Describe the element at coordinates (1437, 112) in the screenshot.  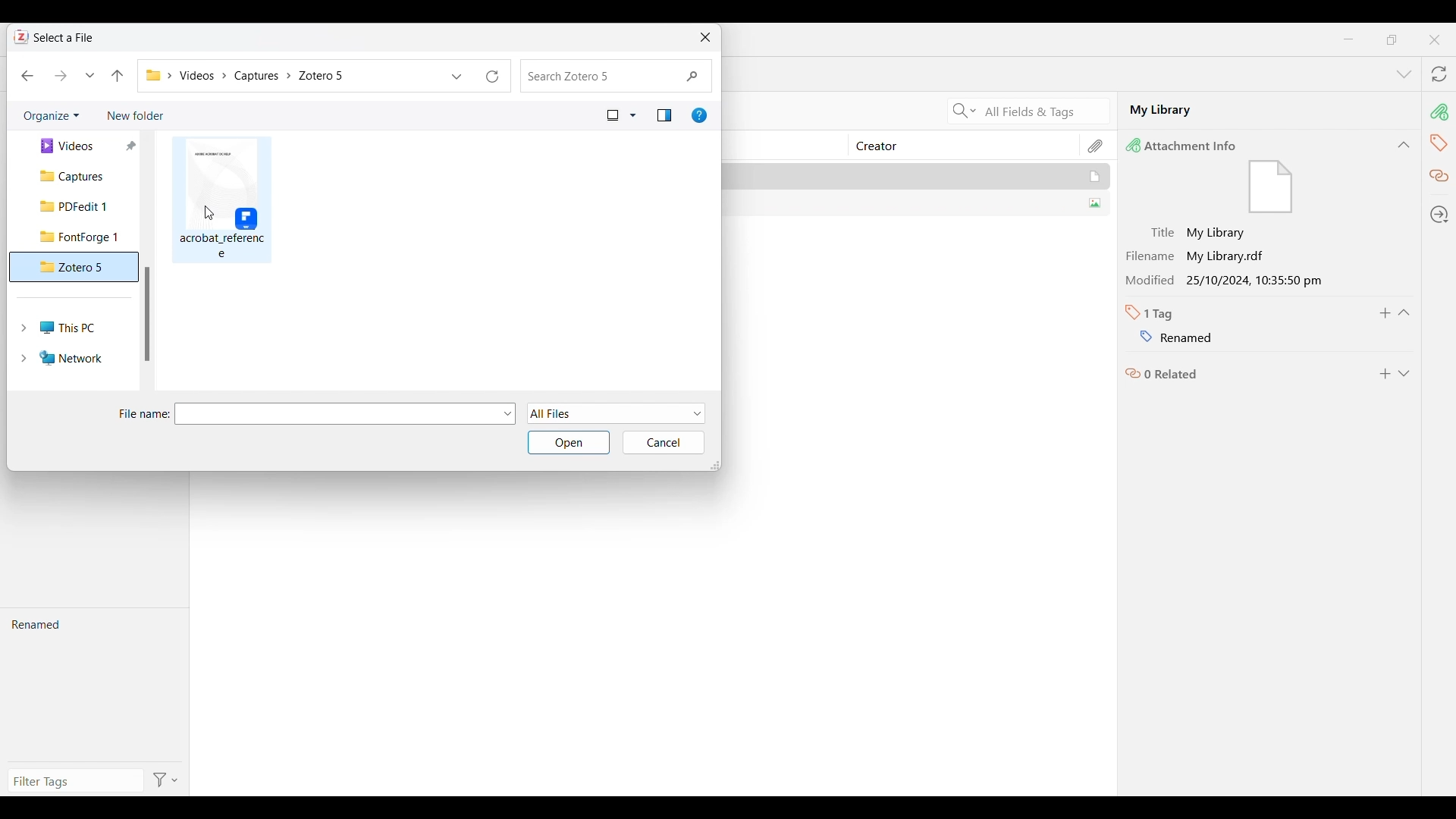
I see `Attachment info` at that location.